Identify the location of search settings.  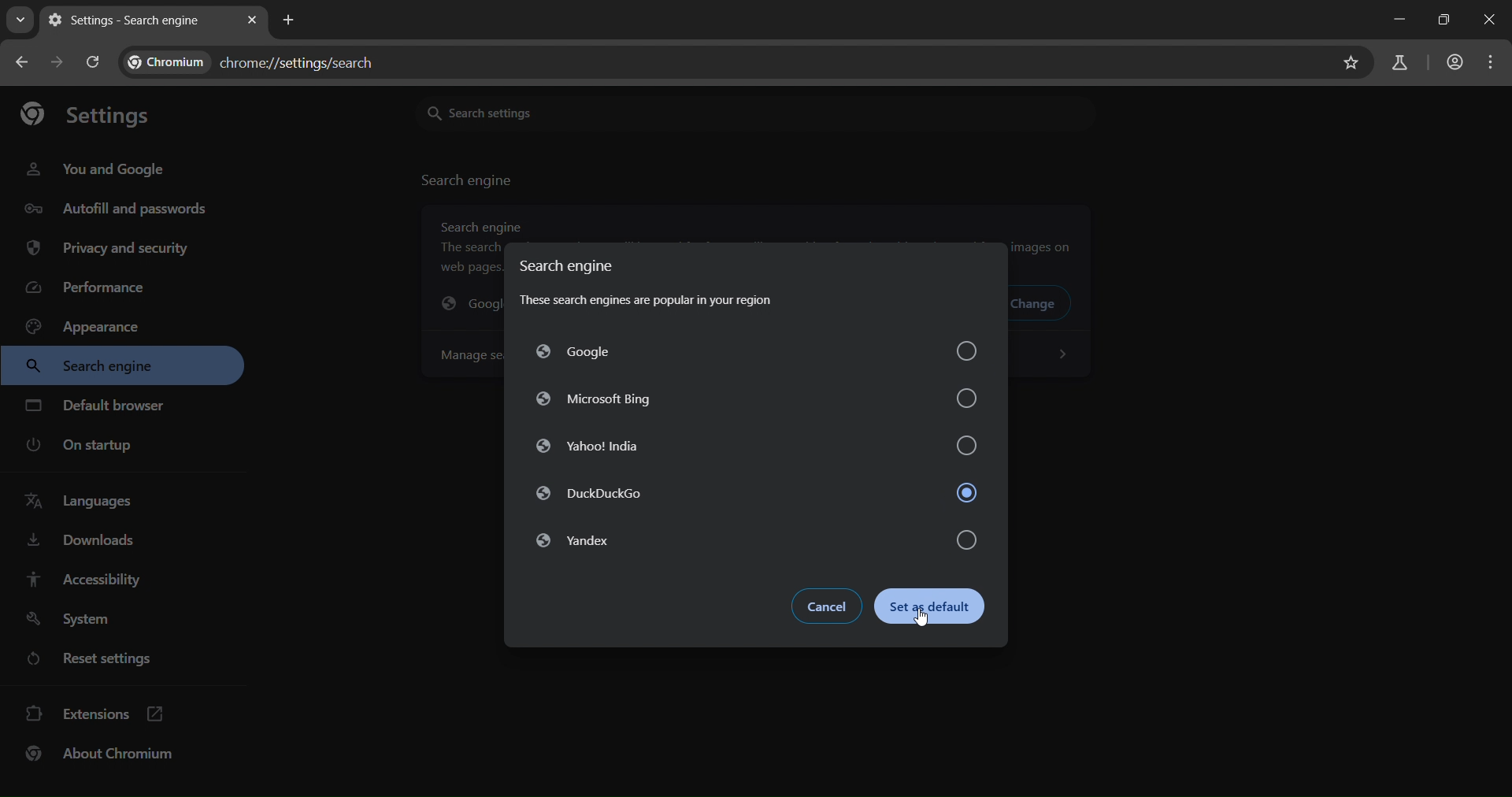
(606, 112).